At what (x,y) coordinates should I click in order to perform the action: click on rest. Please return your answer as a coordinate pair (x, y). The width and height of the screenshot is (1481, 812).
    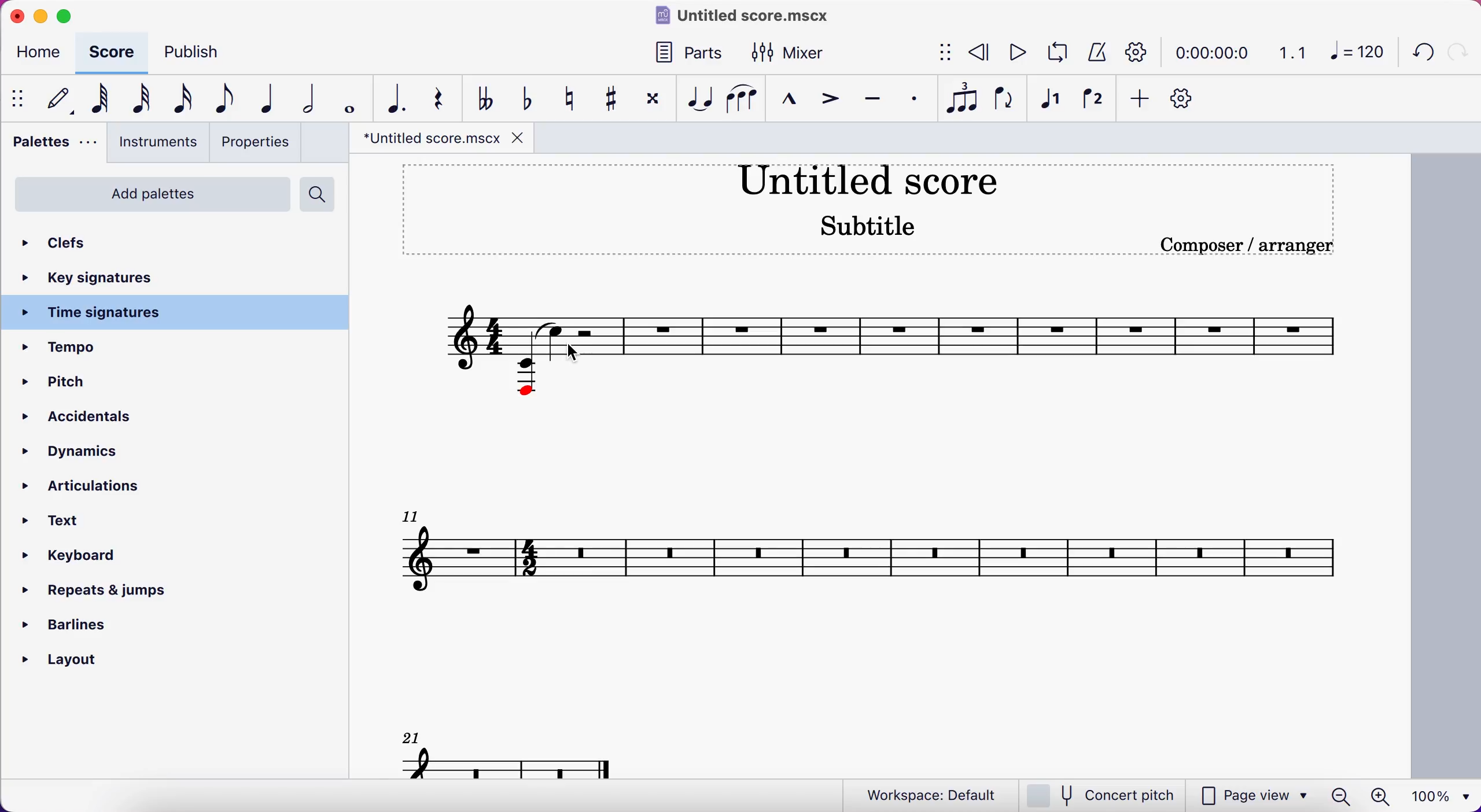
    Looking at the image, I should click on (446, 101).